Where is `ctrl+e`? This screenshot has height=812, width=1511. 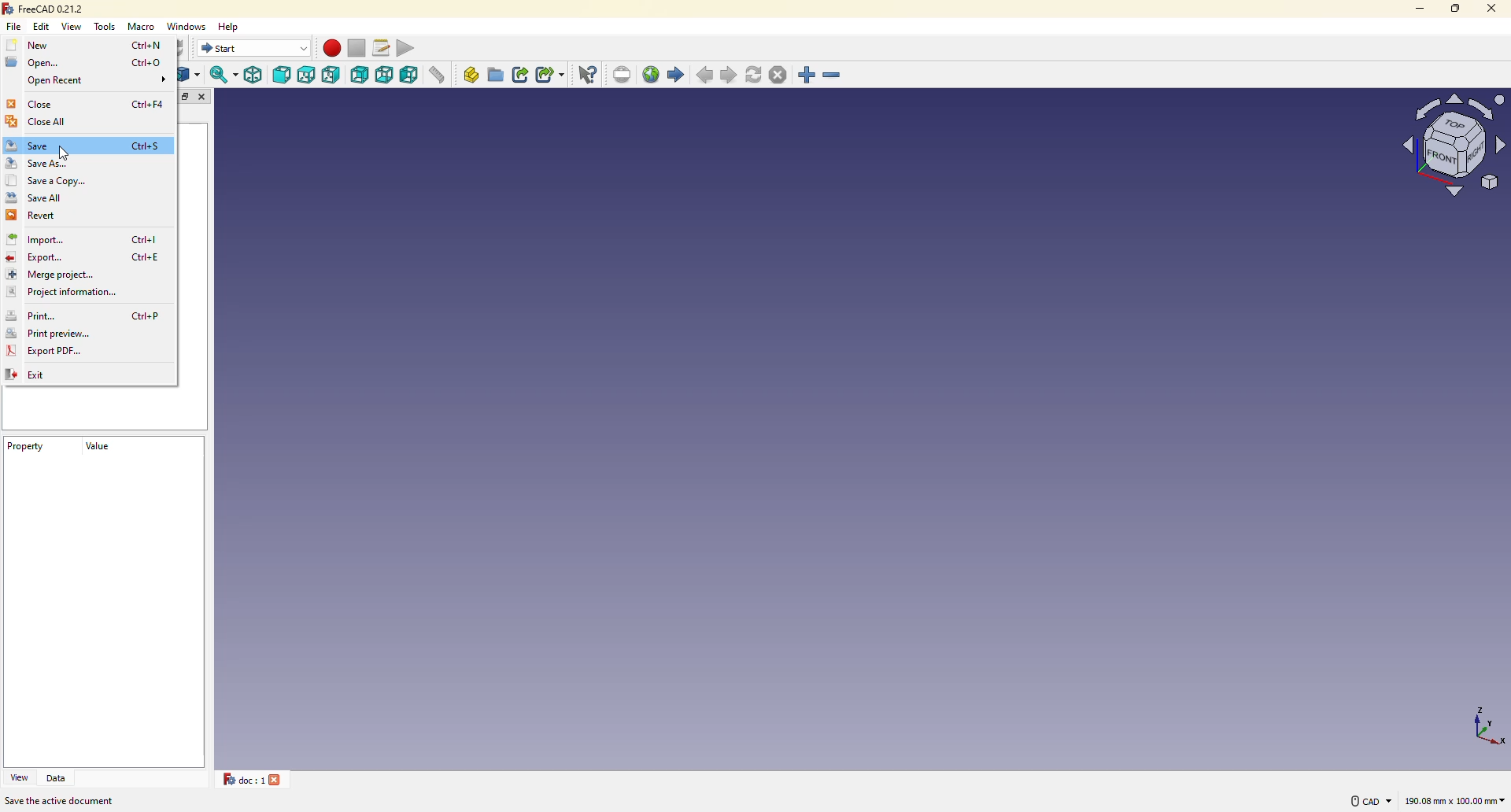
ctrl+e is located at coordinates (146, 258).